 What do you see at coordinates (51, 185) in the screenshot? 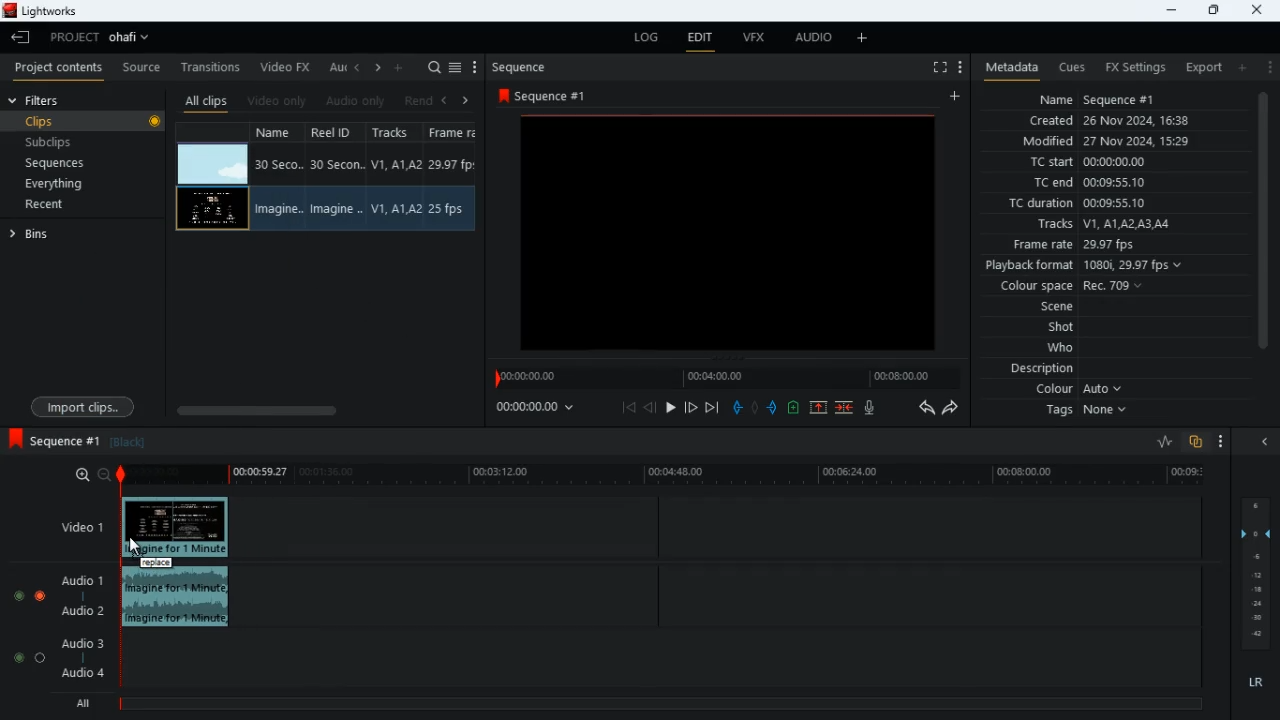
I see `everything` at bounding box center [51, 185].